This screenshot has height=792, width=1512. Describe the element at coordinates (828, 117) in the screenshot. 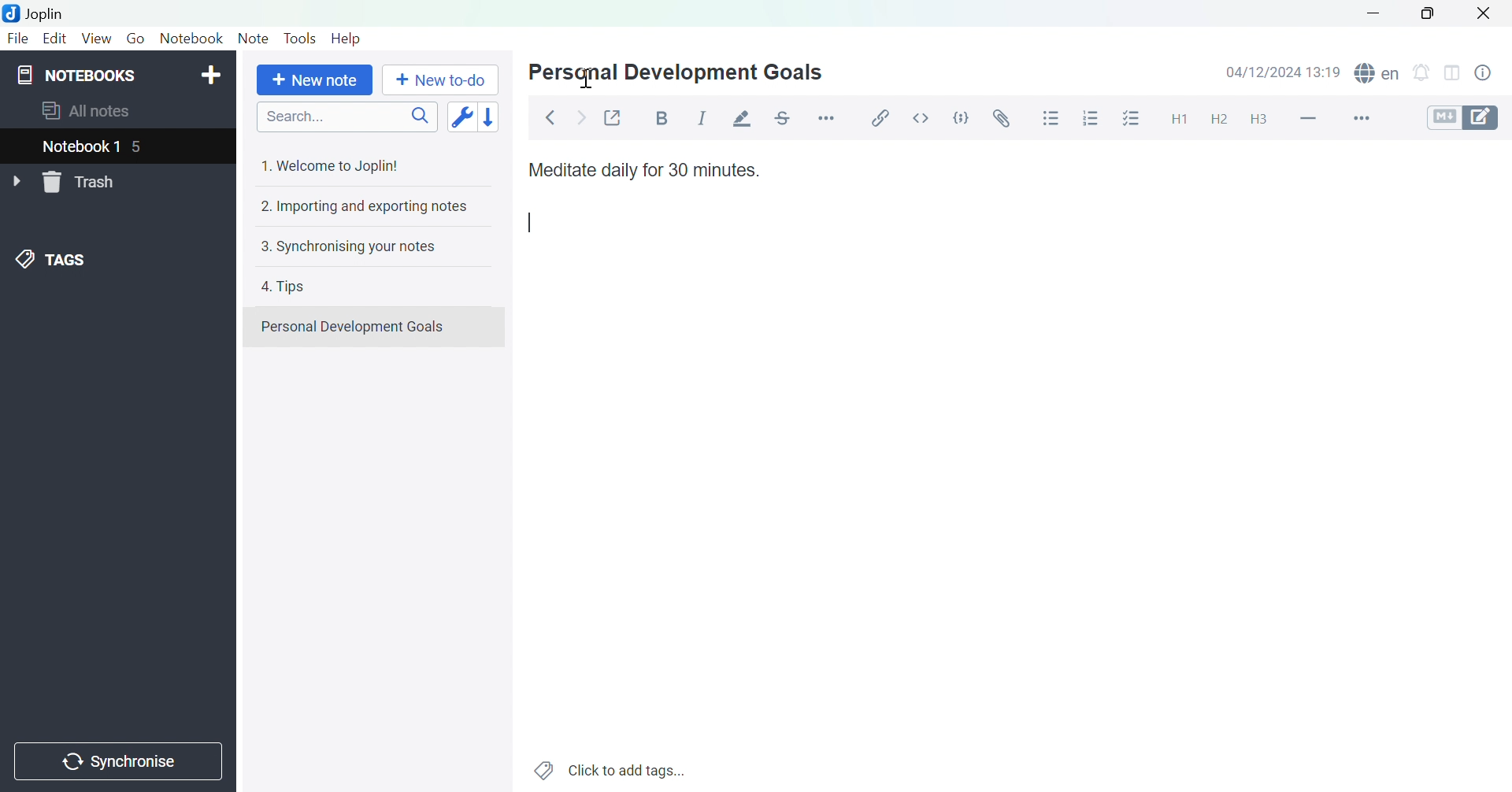

I see `Horizontal` at that location.